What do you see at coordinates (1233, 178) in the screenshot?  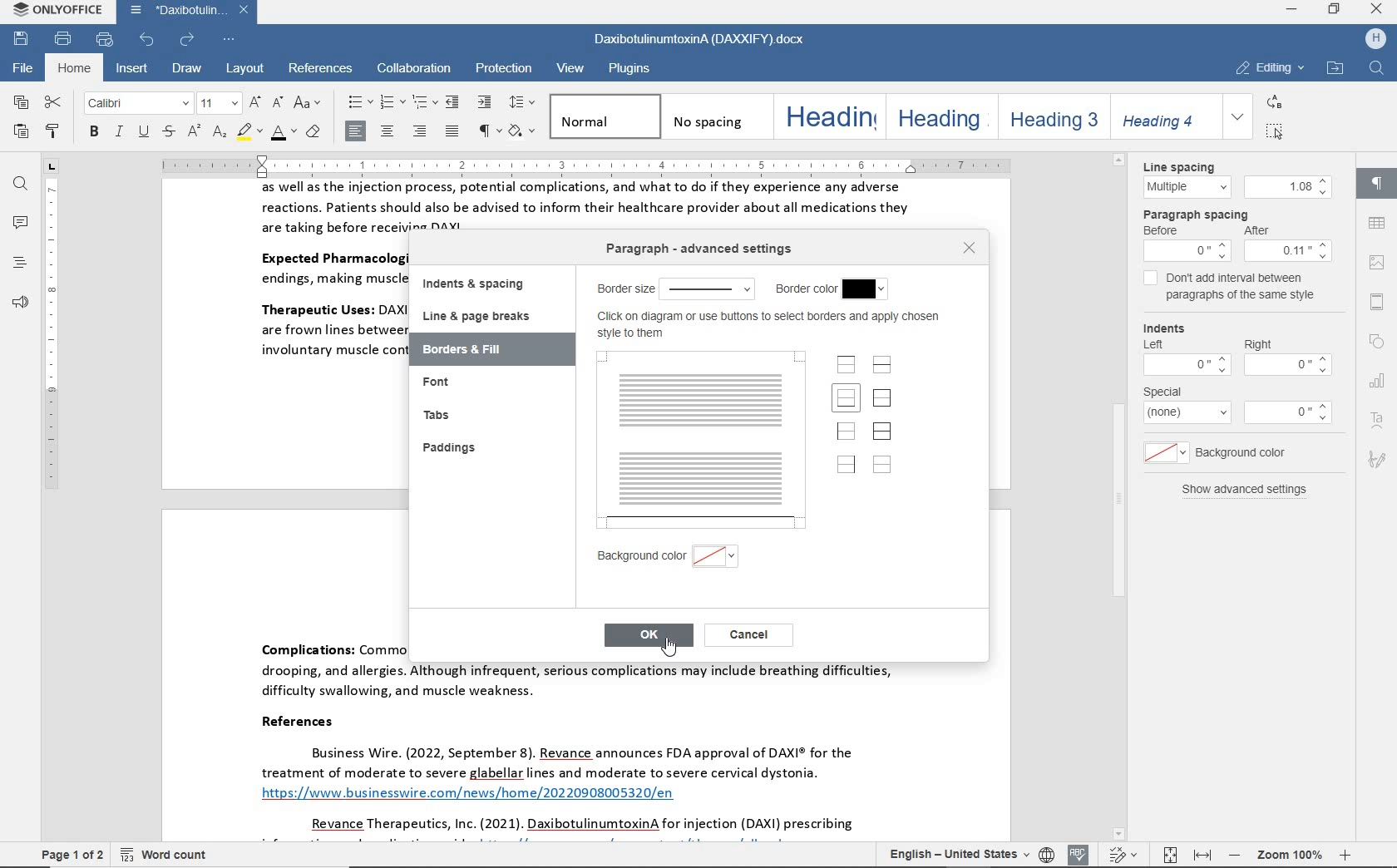 I see `line spacing` at bounding box center [1233, 178].